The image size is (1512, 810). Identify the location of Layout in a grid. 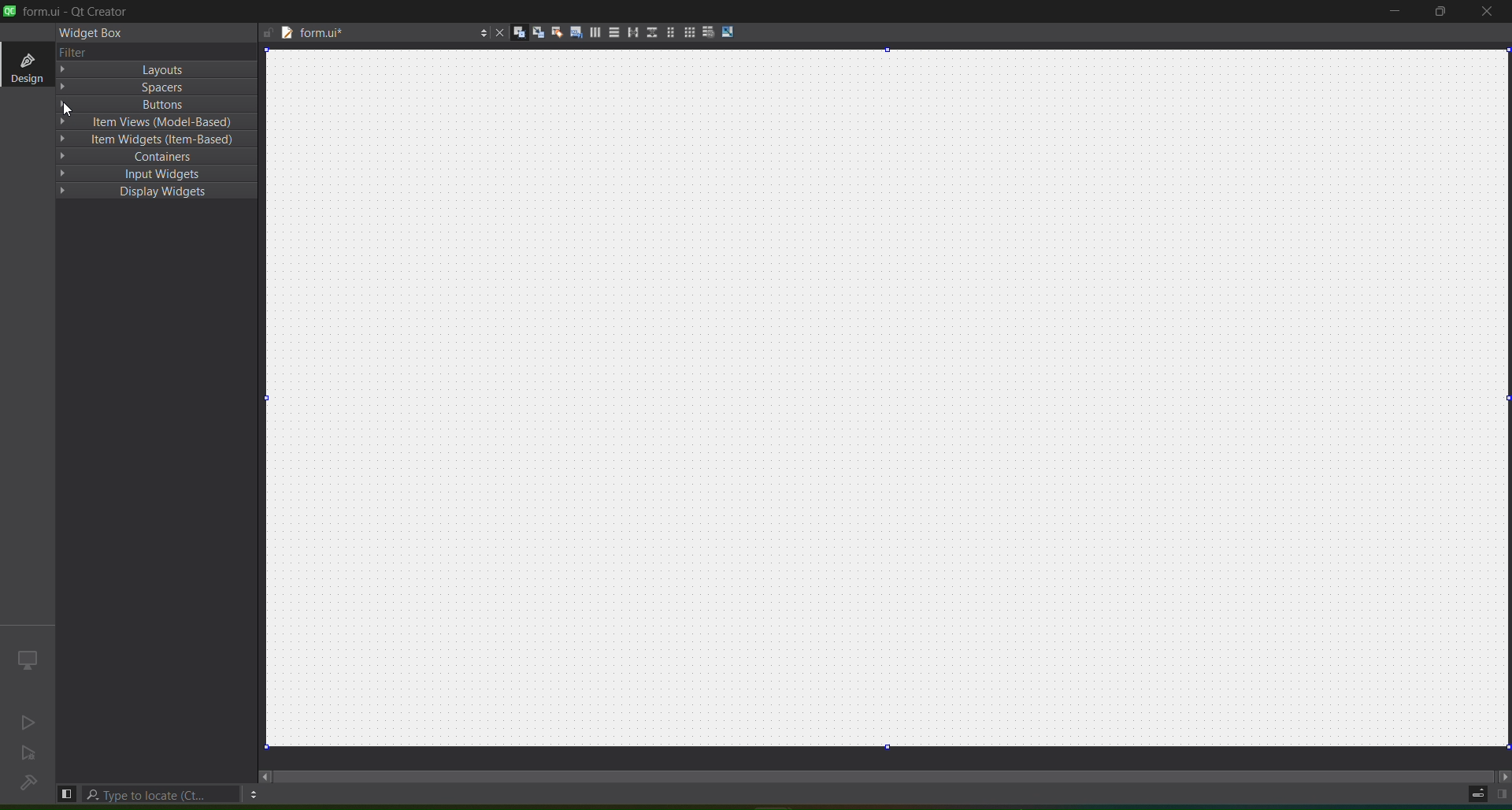
(688, 32).